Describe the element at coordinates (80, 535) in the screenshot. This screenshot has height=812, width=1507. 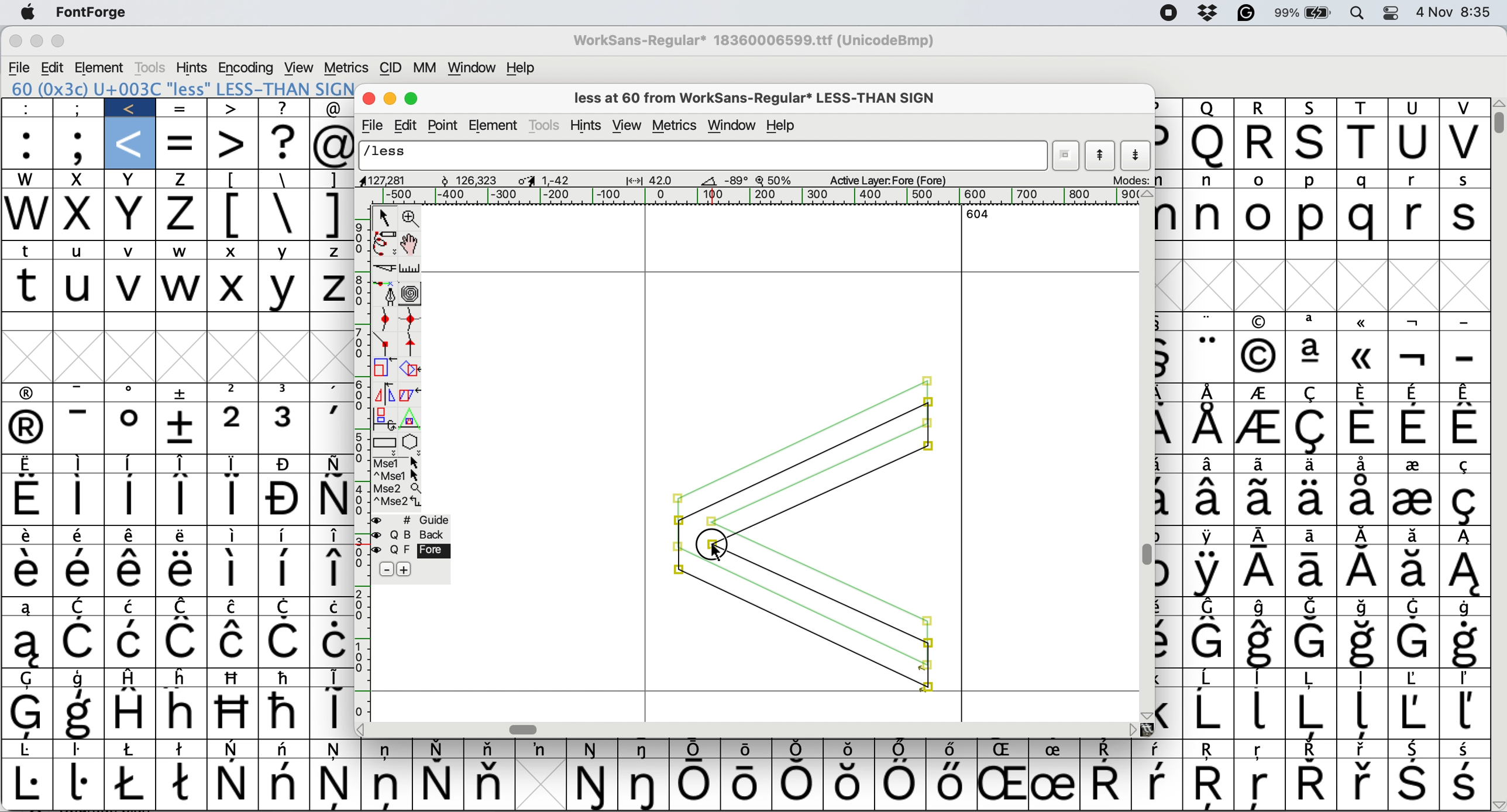
I see `Symbol` at that location.